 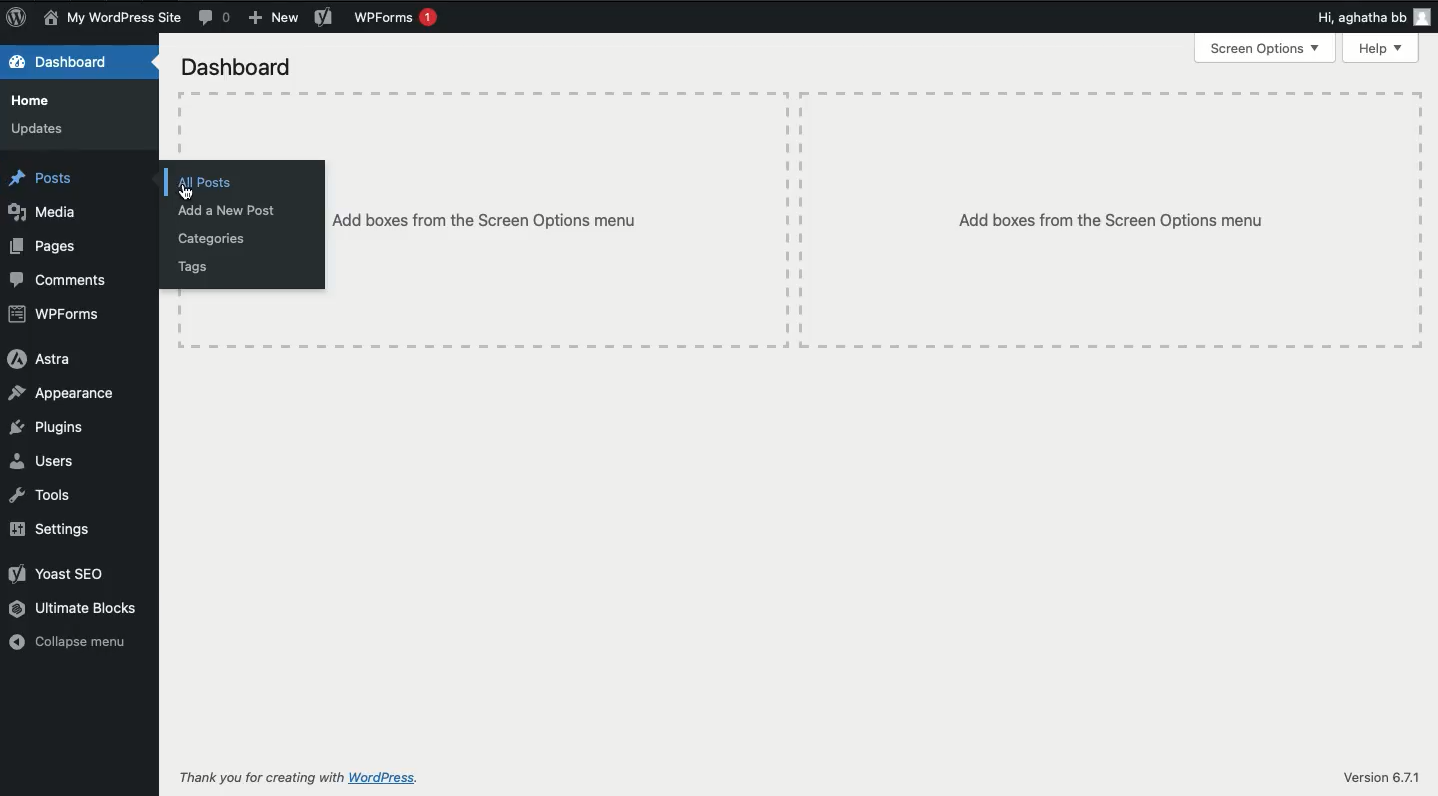 I want to click on All posts, so click(x=206, y=182).